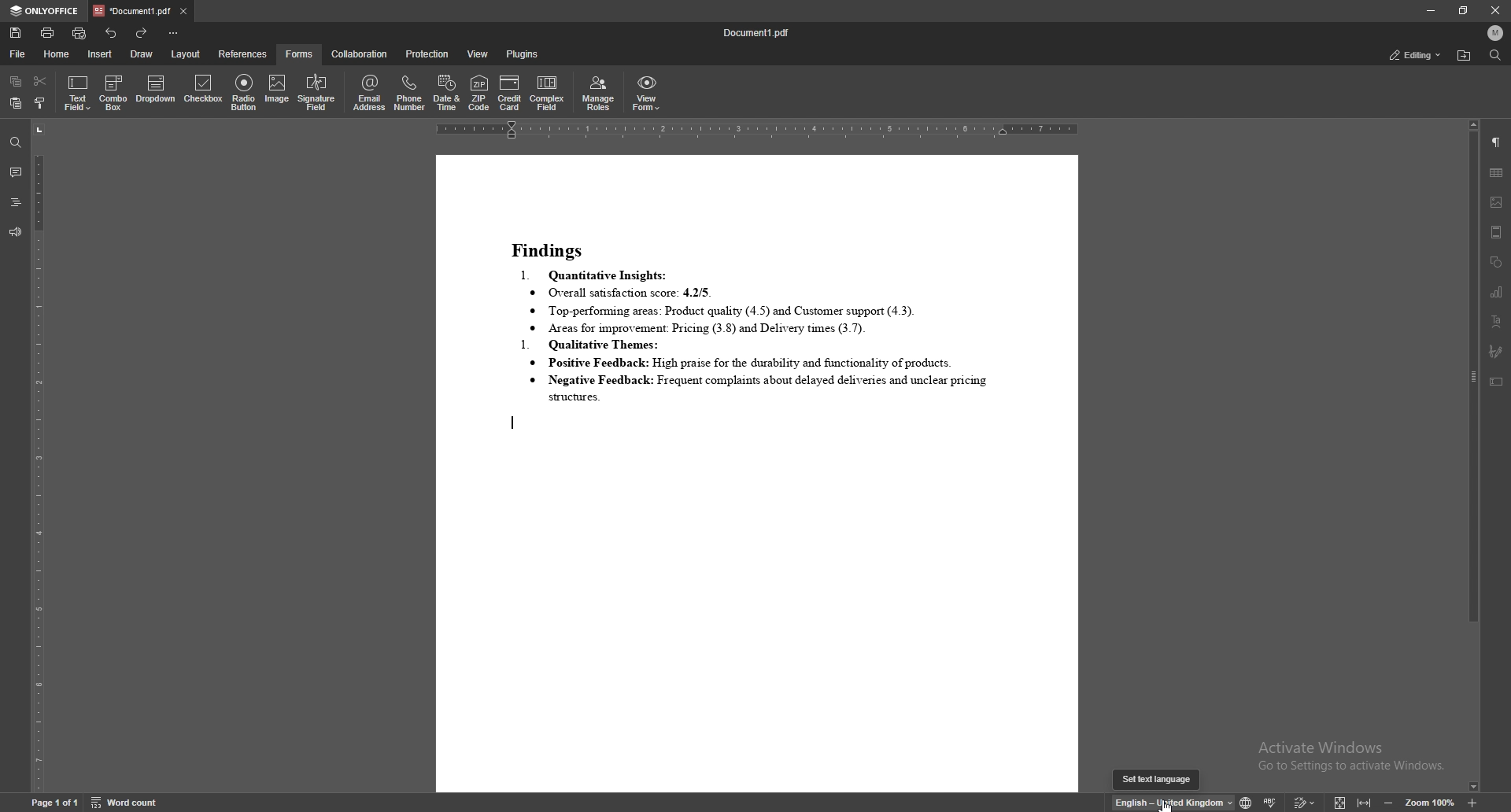 This screenshot has height=812, width=1511. Describe the element at coordinates (300, 54) in the screenshot. I see `forms` at that location.